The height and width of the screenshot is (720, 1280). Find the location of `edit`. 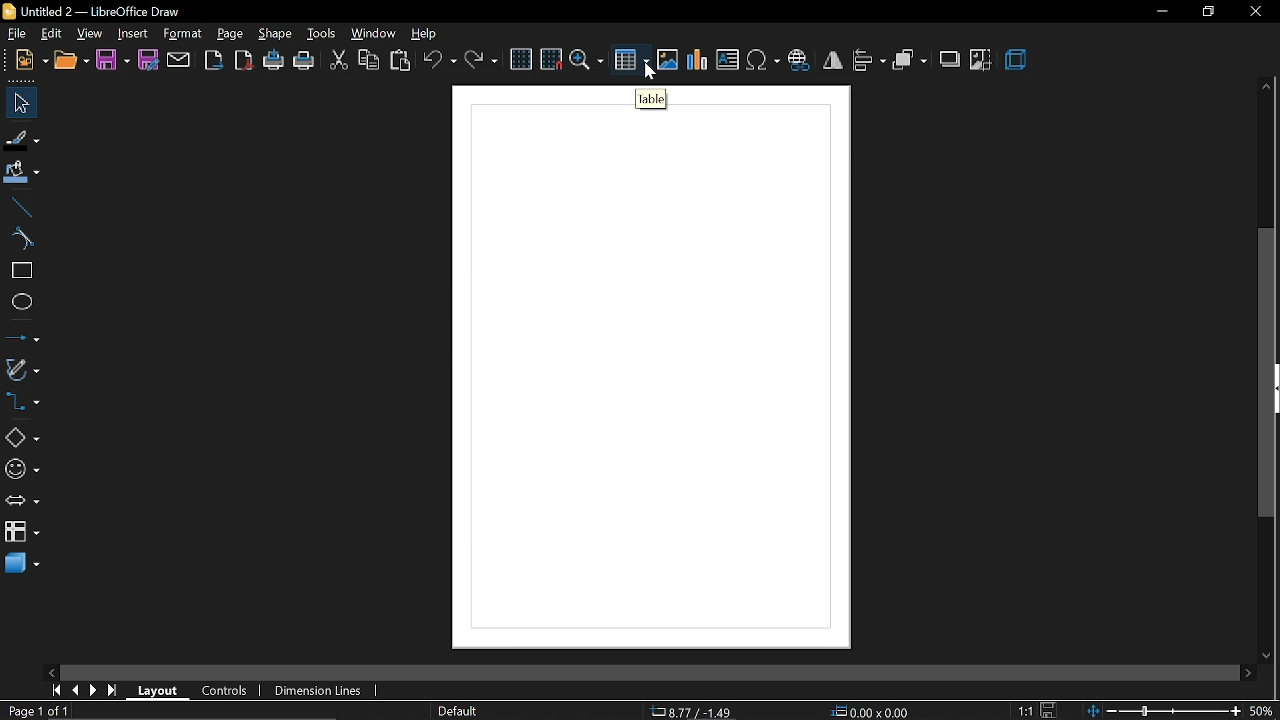

edit is located at coordinates (52, 35).